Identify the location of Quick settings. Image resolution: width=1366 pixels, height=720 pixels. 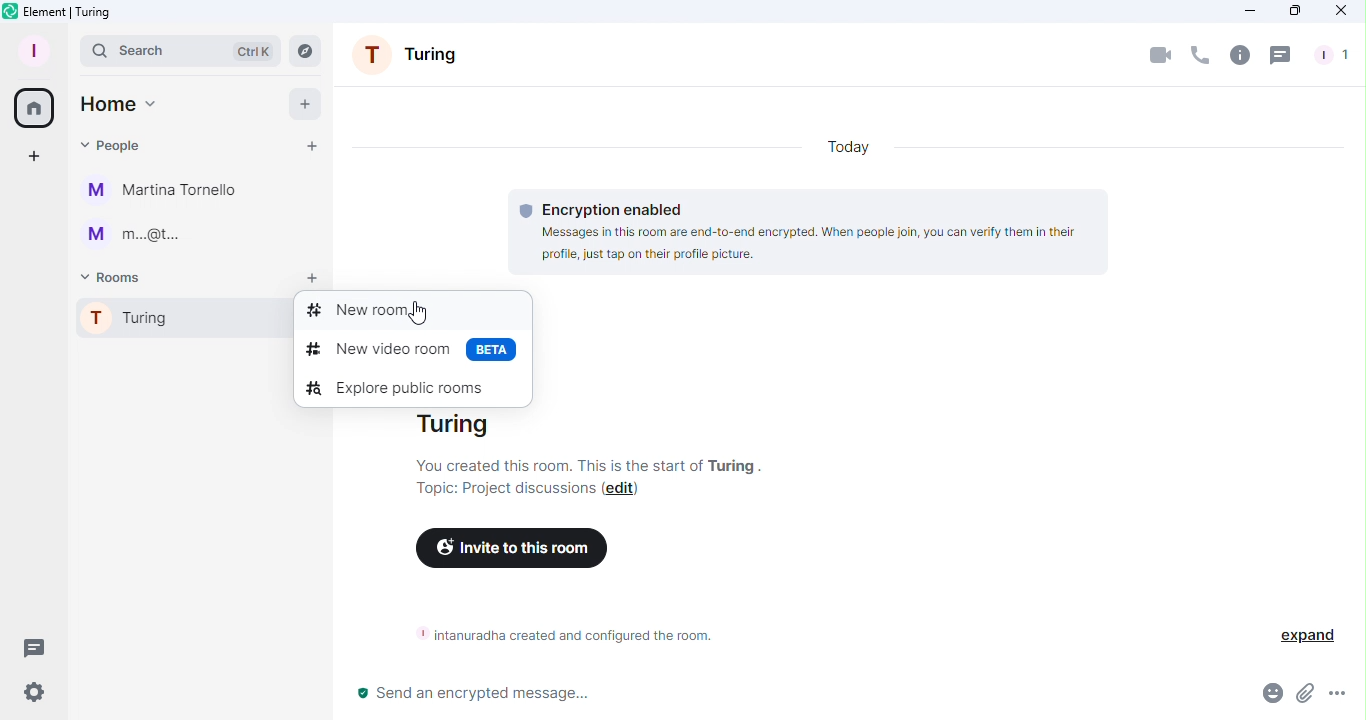
(27, 696).